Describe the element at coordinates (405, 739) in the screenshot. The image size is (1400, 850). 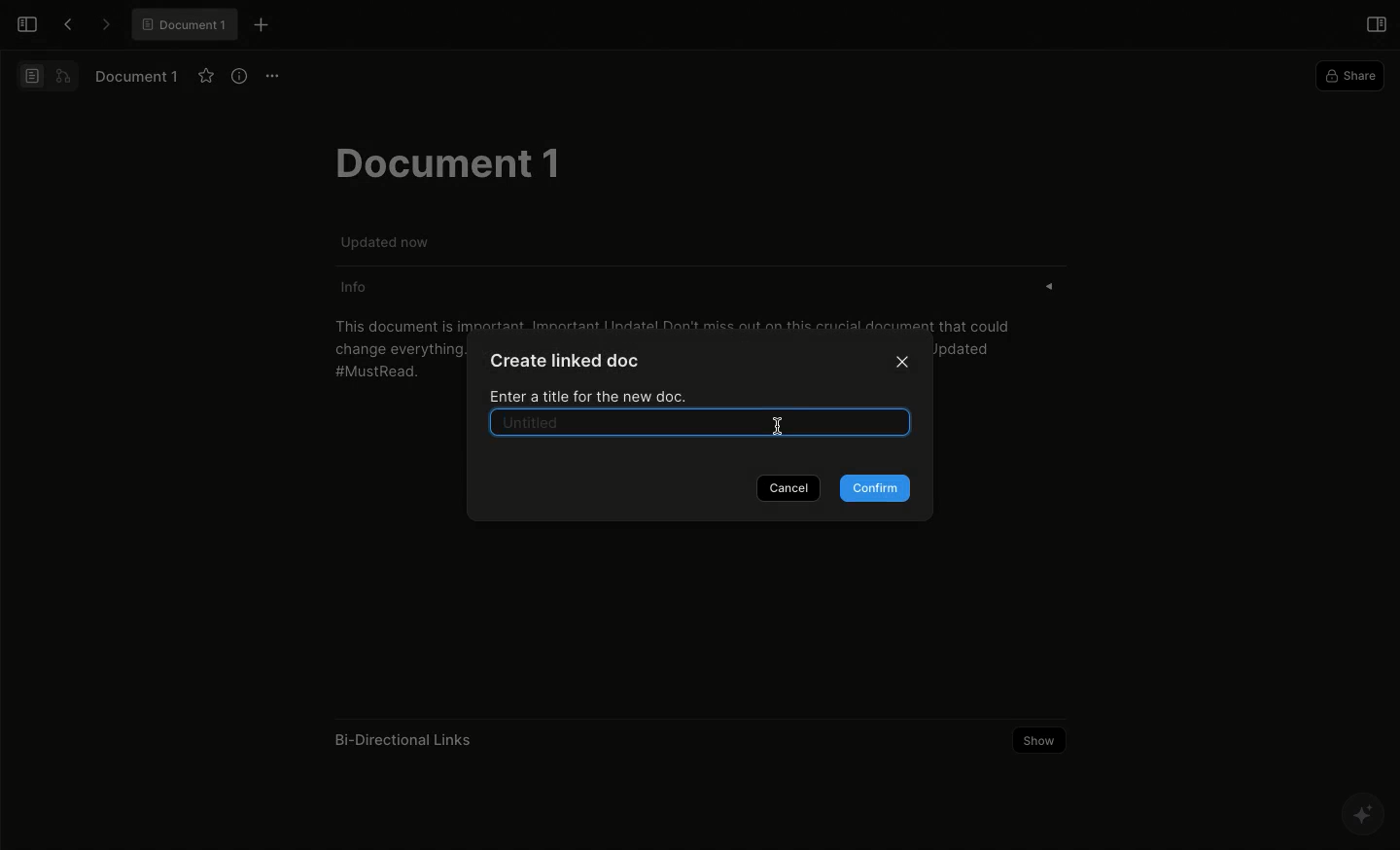
I see `Bi-Directional Links` at that location.